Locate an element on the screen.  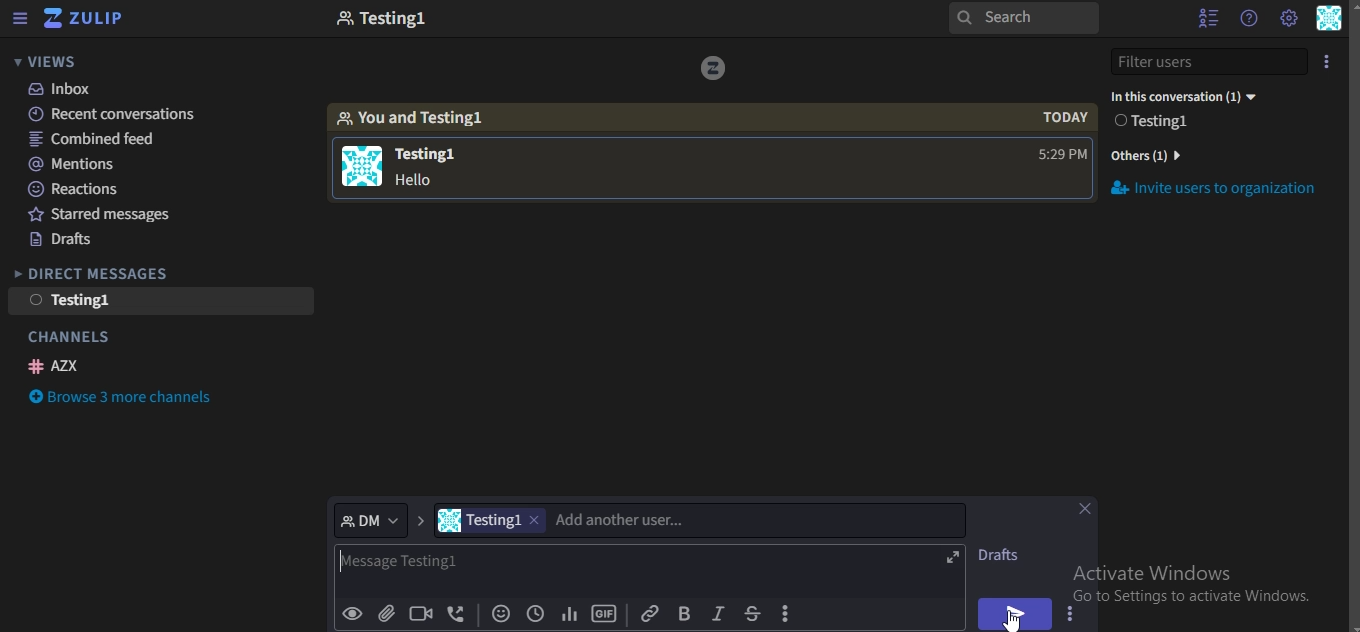
message testing1 is located at coordinates (415, 565).